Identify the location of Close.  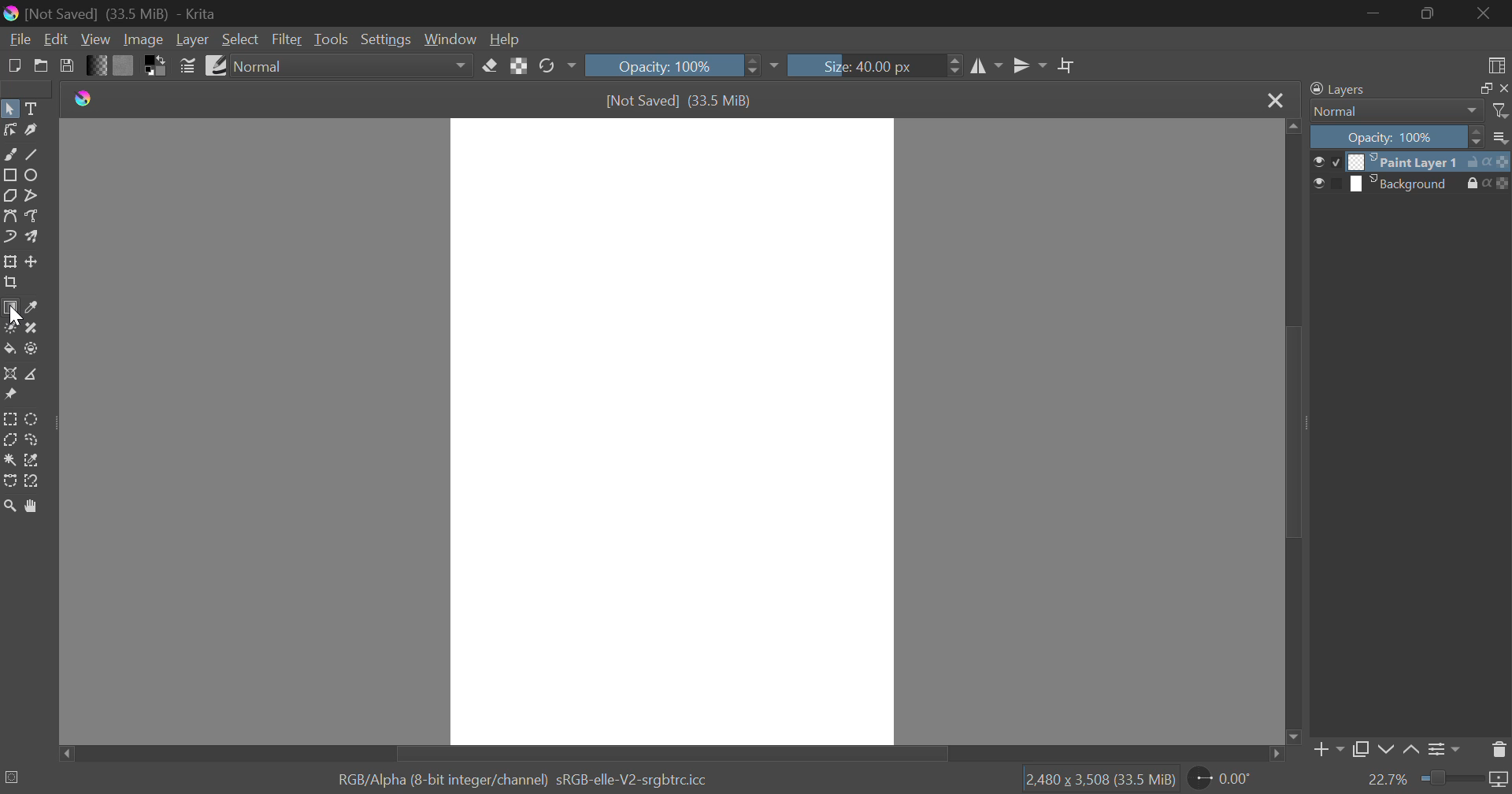
(1274, 100).